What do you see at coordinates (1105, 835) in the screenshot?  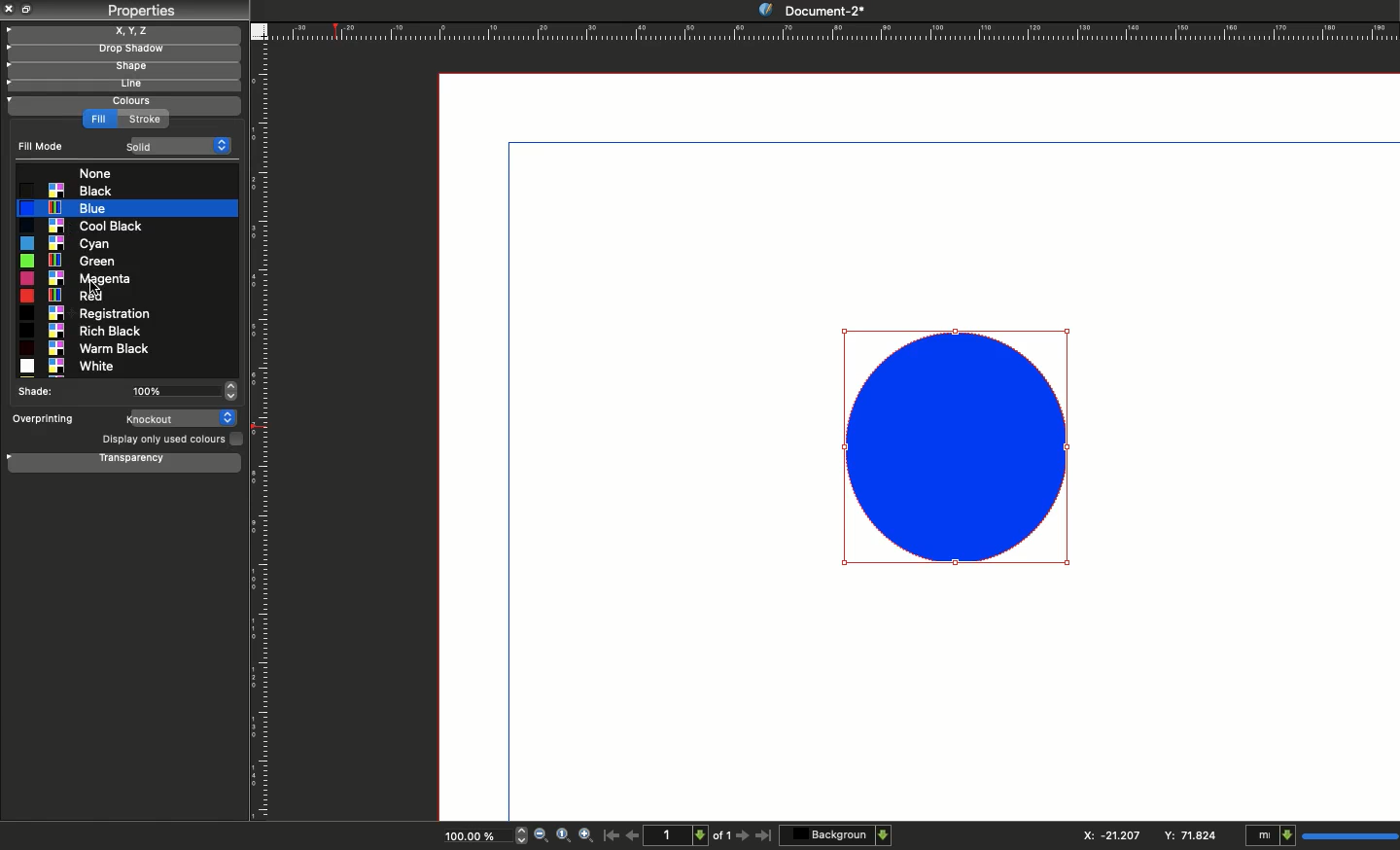 I see `X: 115.544` at bounding box center [1105, 835].